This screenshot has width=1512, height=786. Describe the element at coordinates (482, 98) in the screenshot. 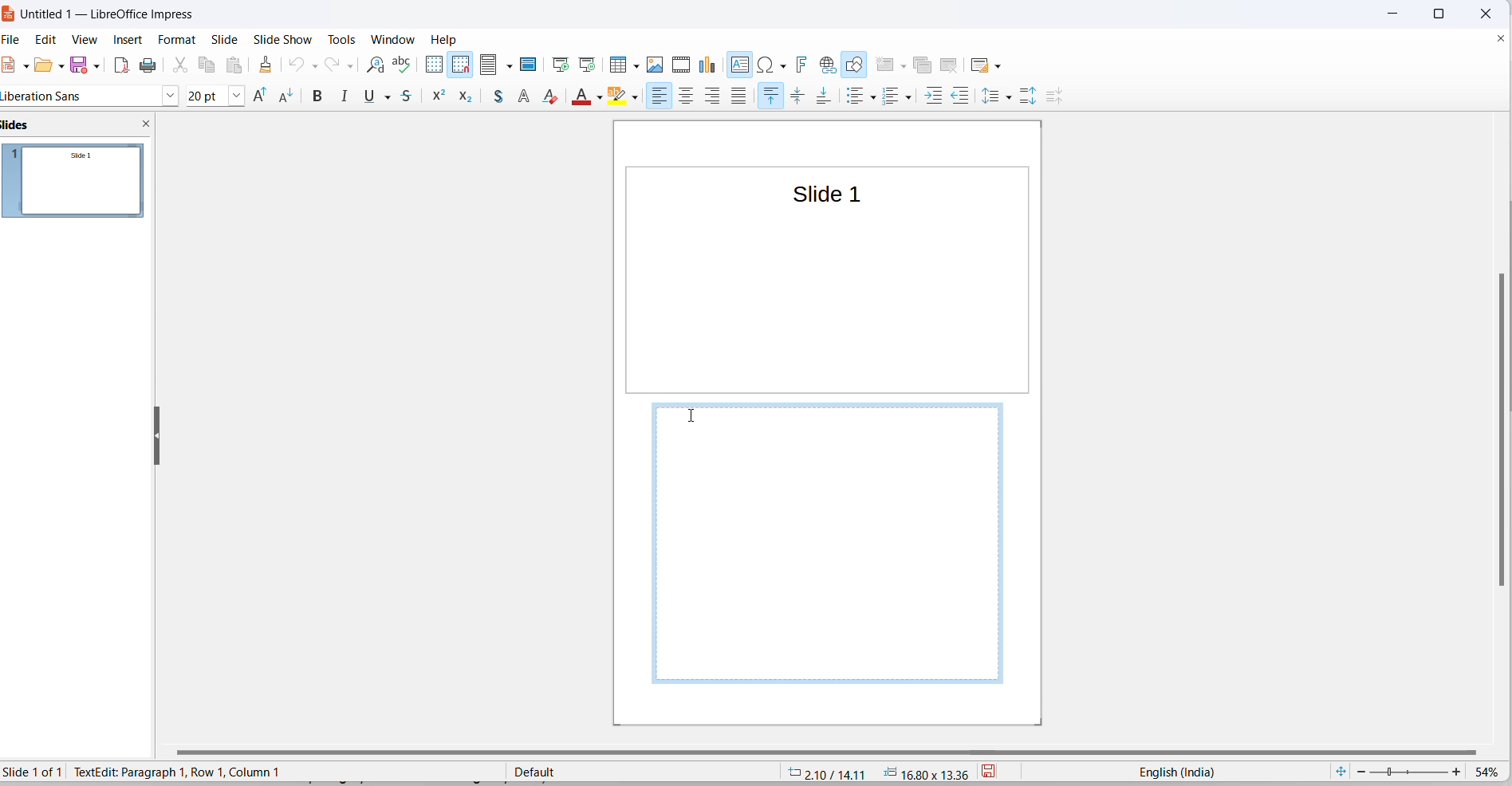

I see `call out shapes` at that location.